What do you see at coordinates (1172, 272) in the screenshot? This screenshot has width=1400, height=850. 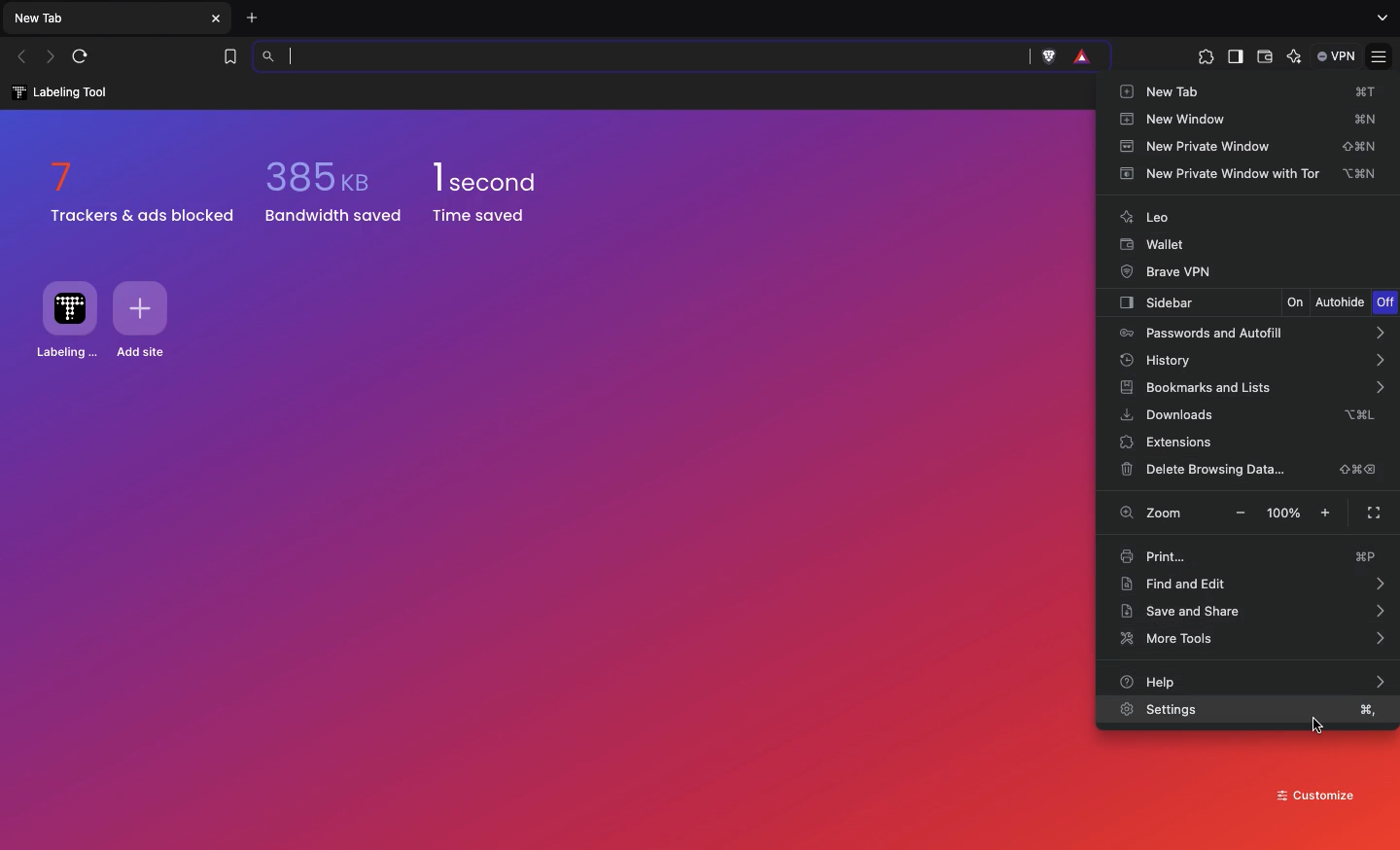 I see `Brave VPN` at bounding box center [1172, 272].